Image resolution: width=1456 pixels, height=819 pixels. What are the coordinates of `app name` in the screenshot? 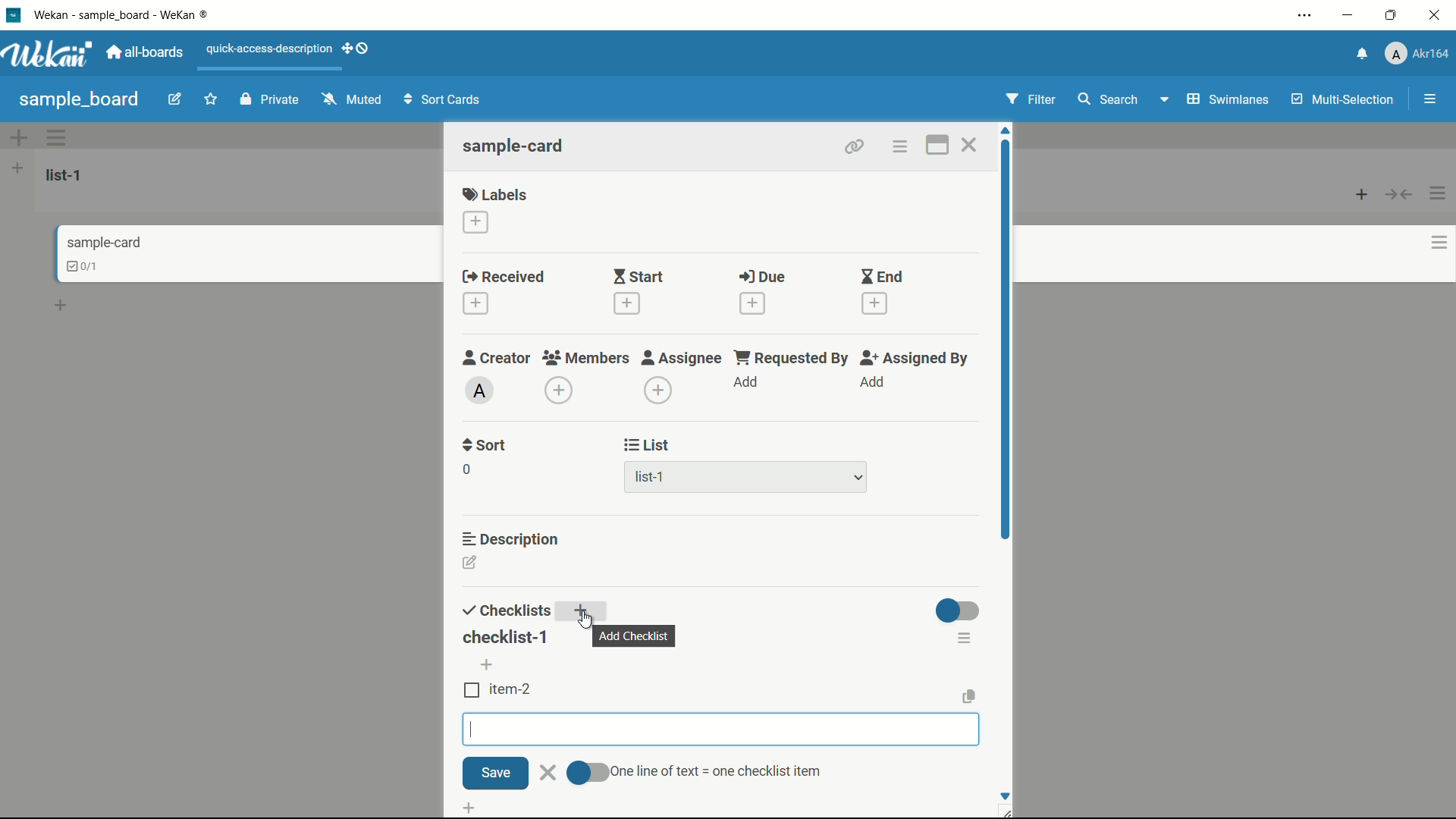 It's located at (124, 14).